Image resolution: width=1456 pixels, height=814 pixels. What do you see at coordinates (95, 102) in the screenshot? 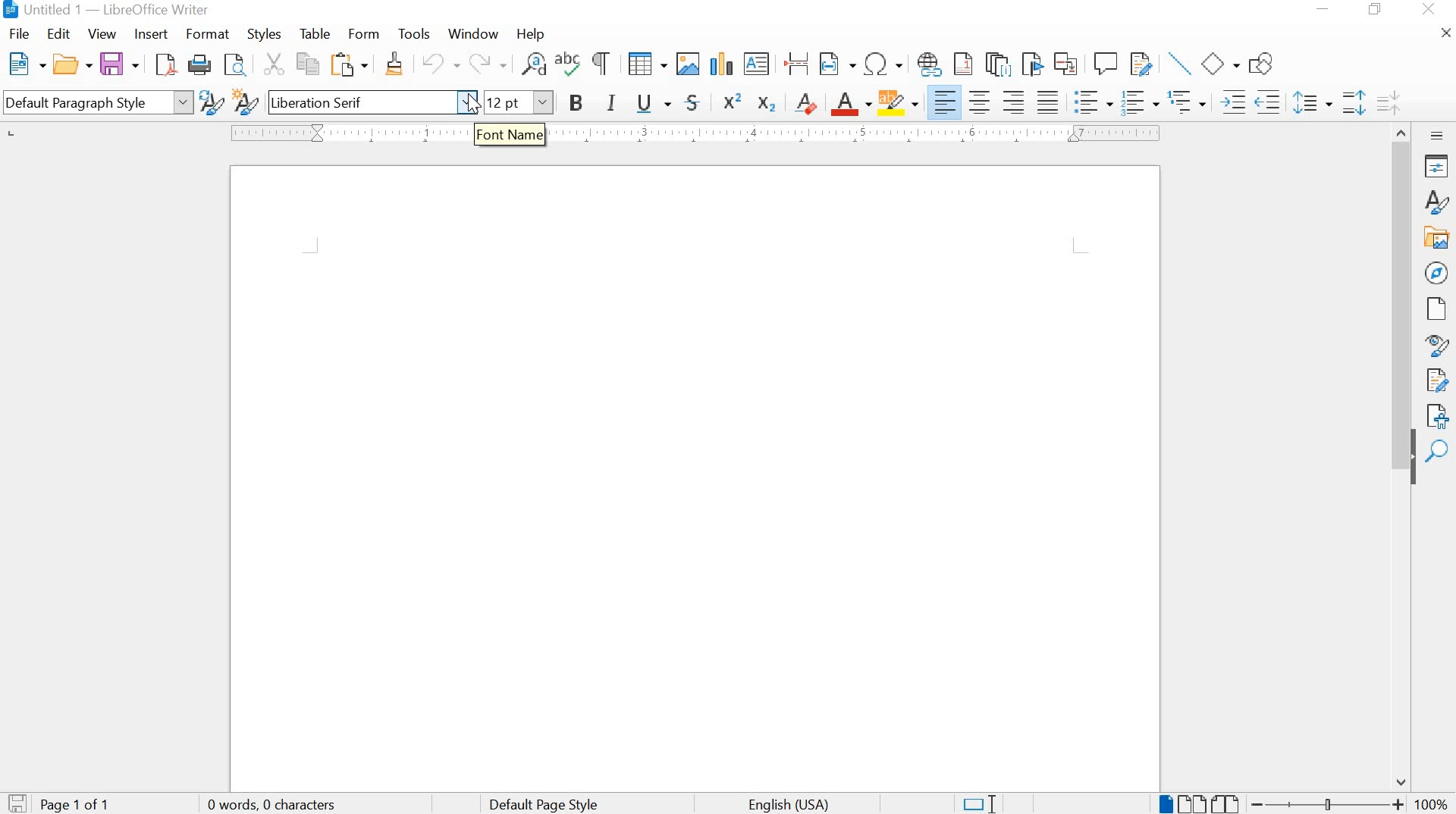
I see `SET PARAGRAPH STYLE` at bounding box center [95, 102].